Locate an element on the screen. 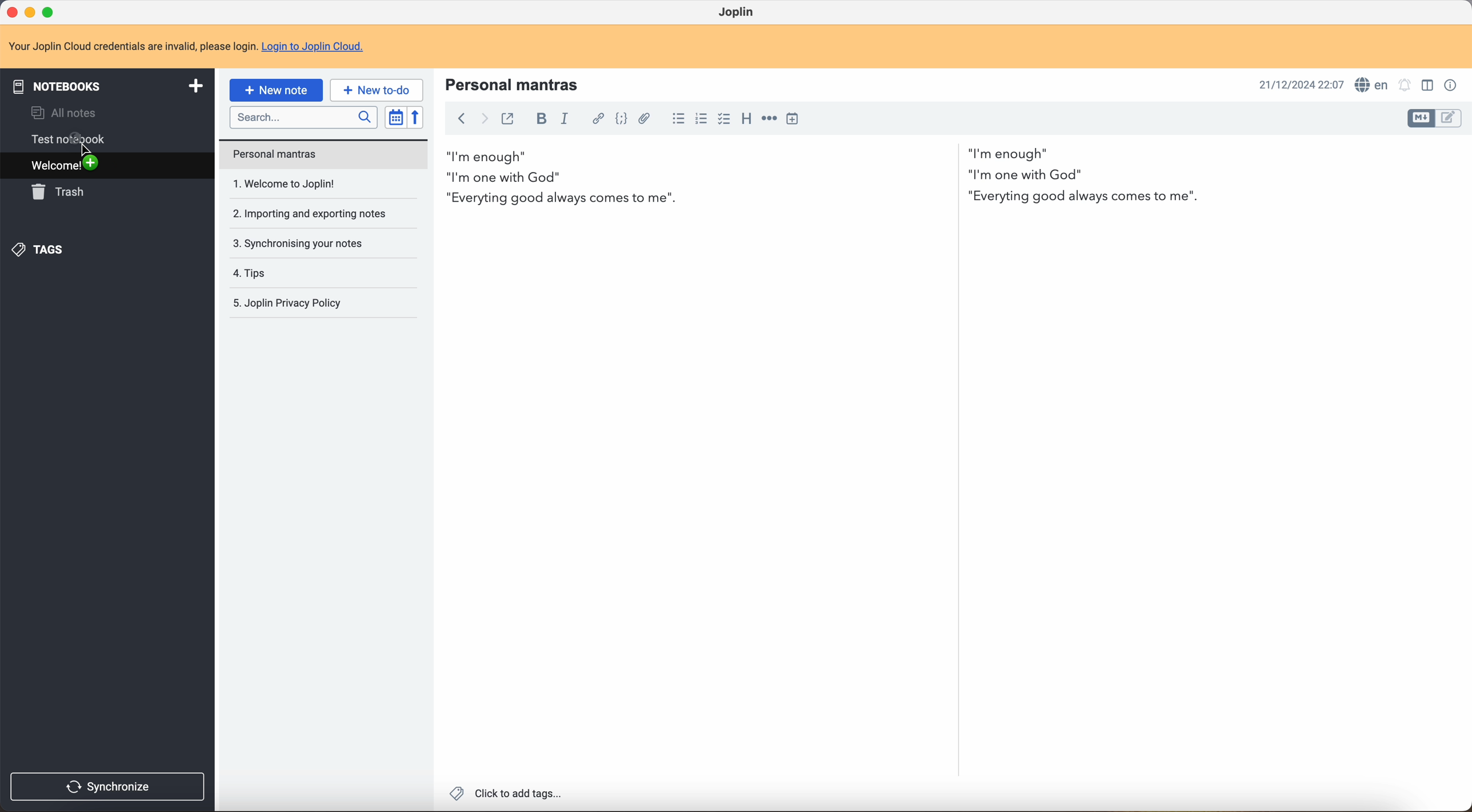  new note is located at coordinates (275, 89).